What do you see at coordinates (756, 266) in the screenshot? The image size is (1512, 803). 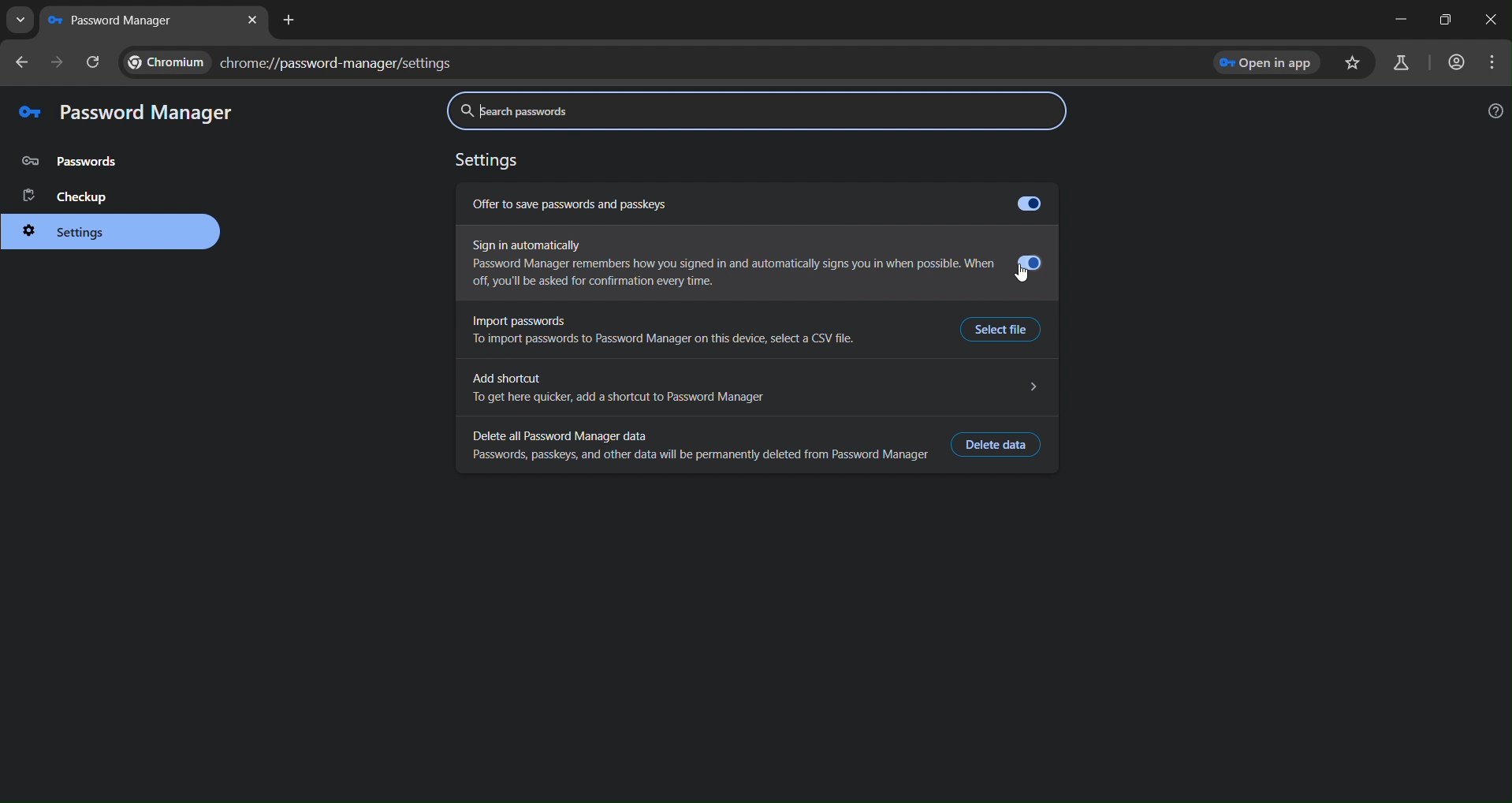 I see `Sign in automatically
Password Manager remembers how you signed in and automatically signs you in when possible. When
off, you'll be asked for confirmation every time.` at bounding box center [756, 266].